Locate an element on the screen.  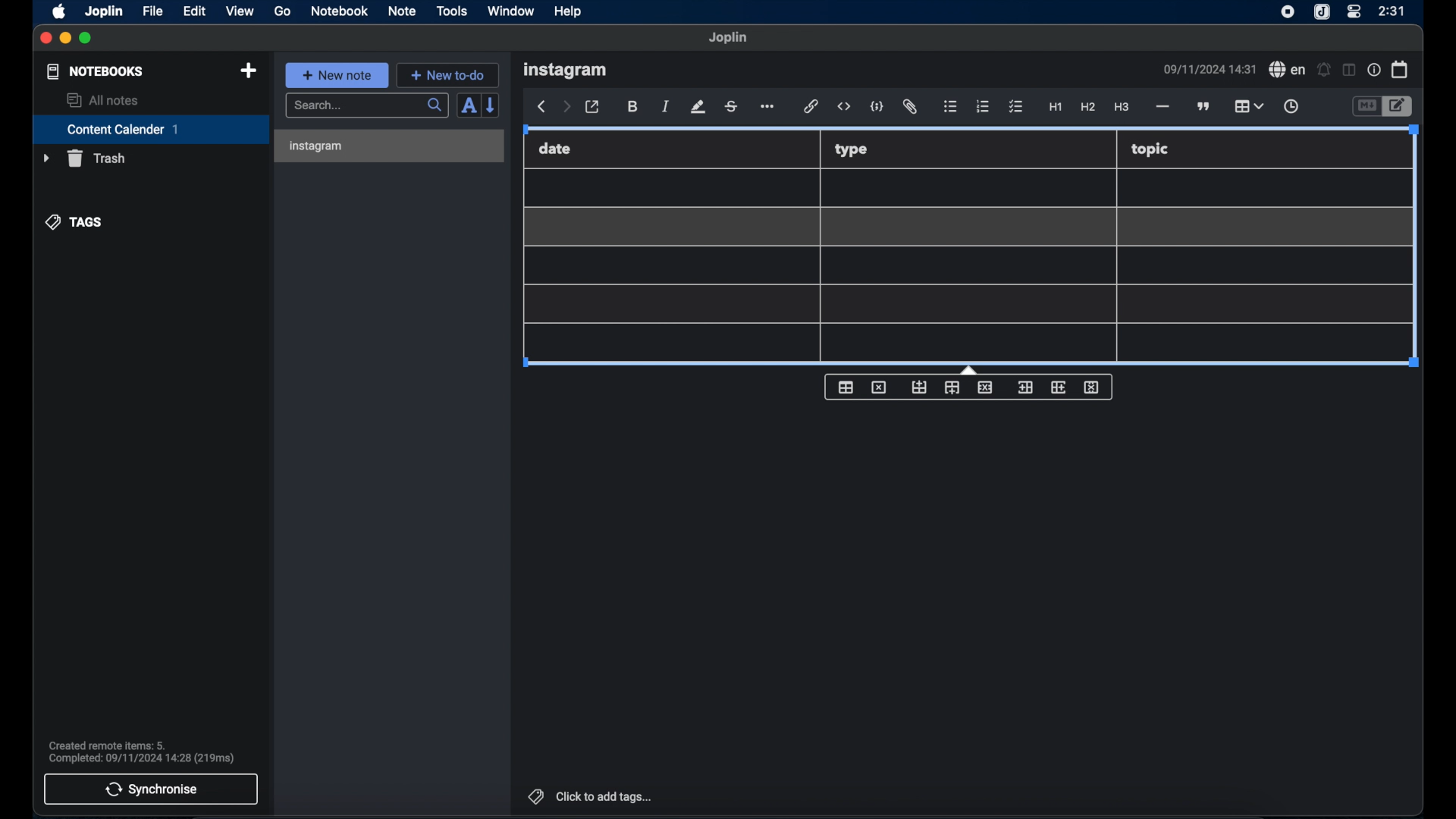
code is located at coordinates (876, 106).